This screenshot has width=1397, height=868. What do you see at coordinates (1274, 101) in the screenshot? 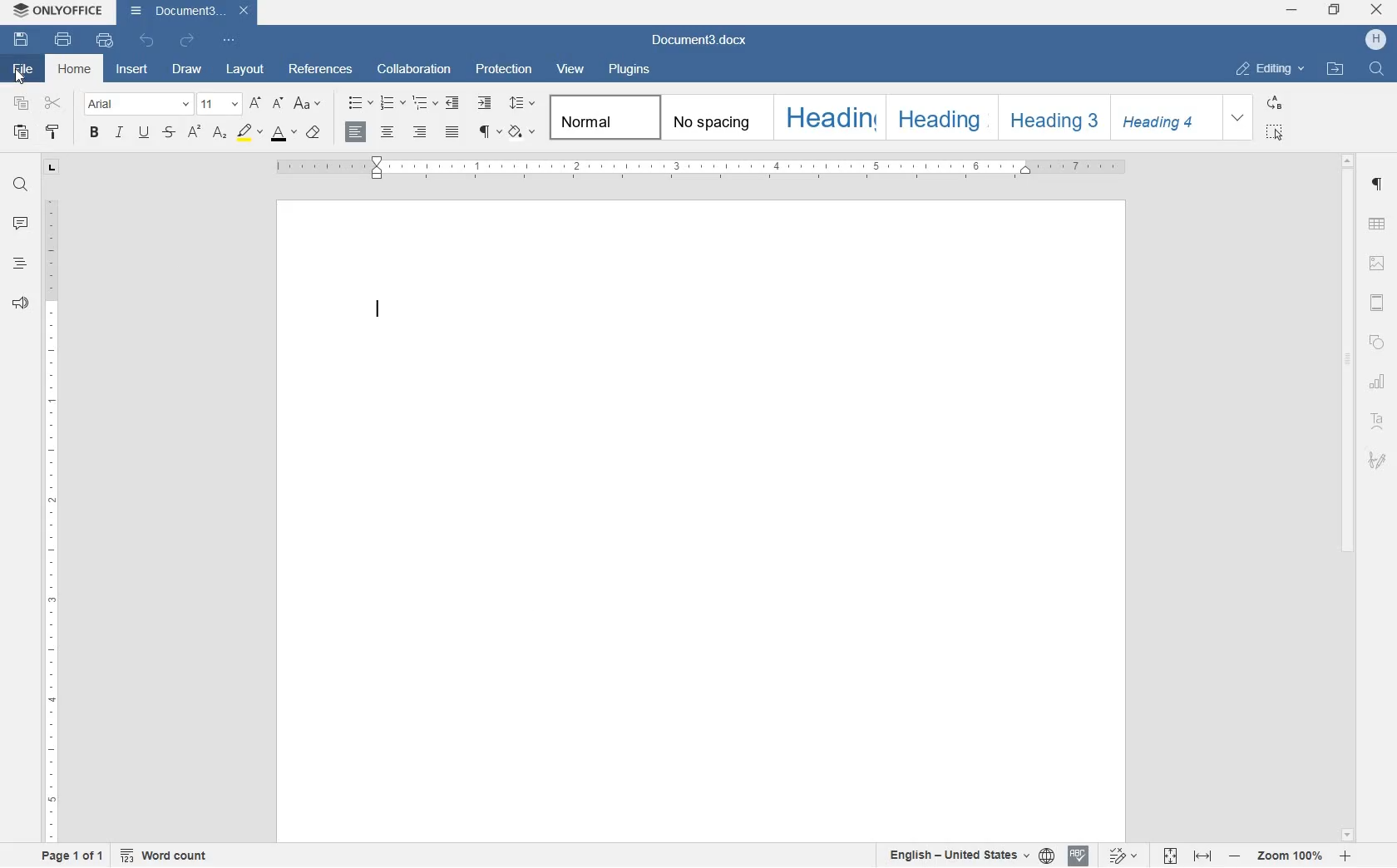
I see `replace` at bounding box center [1274, 101].